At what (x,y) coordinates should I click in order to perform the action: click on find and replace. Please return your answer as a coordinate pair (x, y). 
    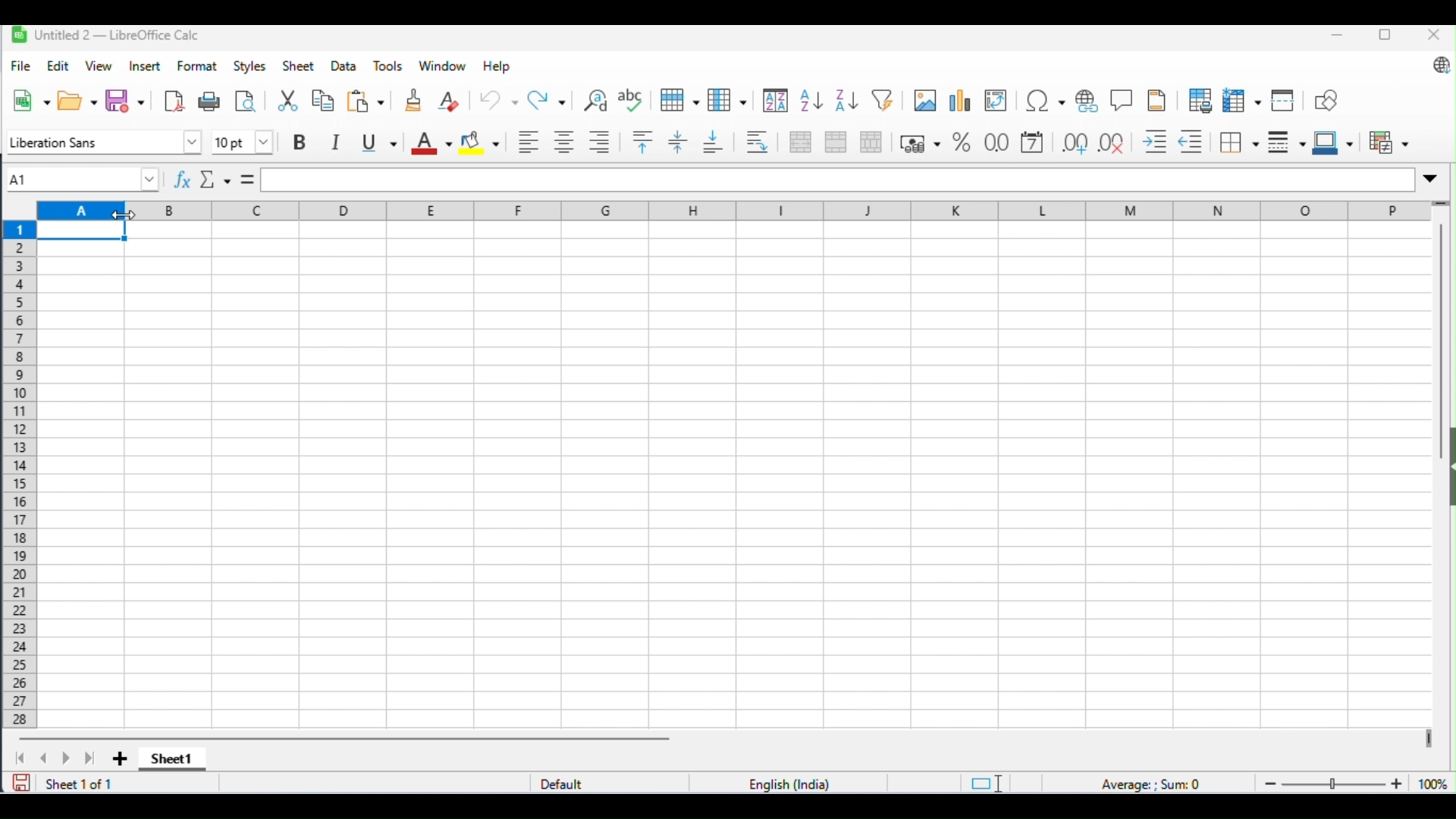
    Looking at the image, I should click on (597, 99).